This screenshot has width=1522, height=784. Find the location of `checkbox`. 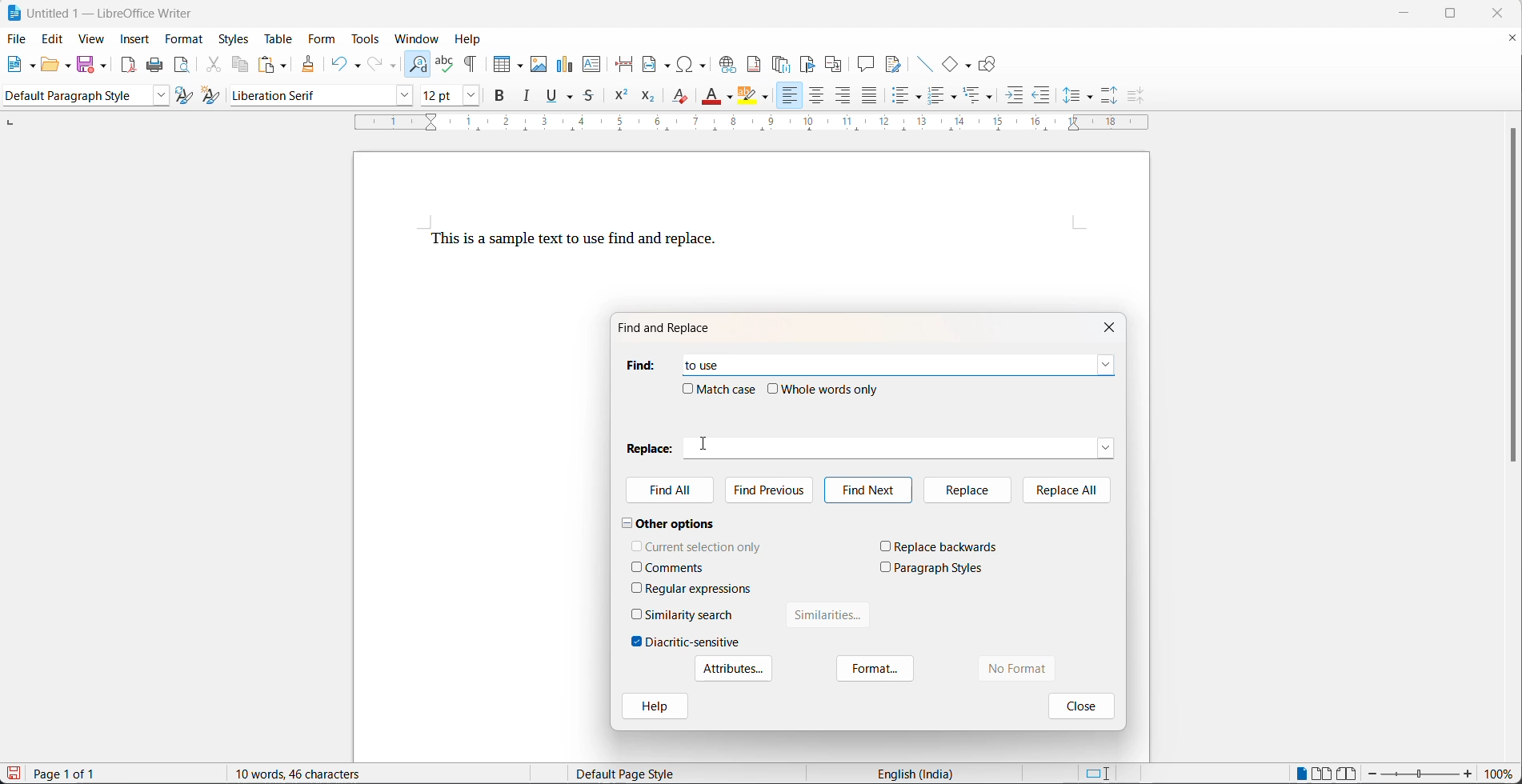

checkbox is located at coordinates (886, 566).